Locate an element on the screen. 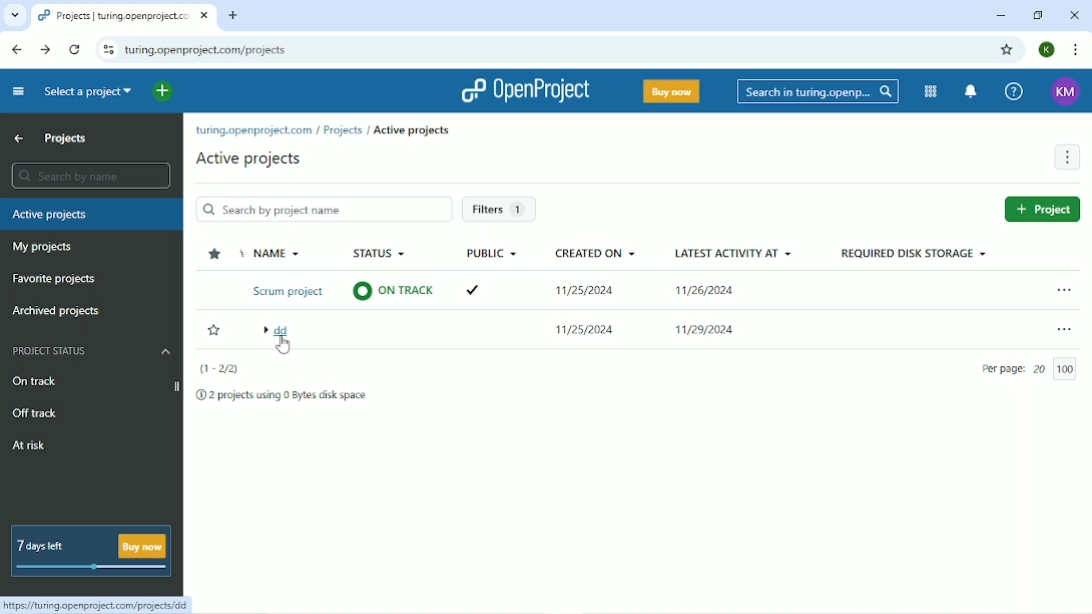 Image resolution: width=1092 pixels, height=614 pixels. Required disk storage is located at coordinates (913, 254).